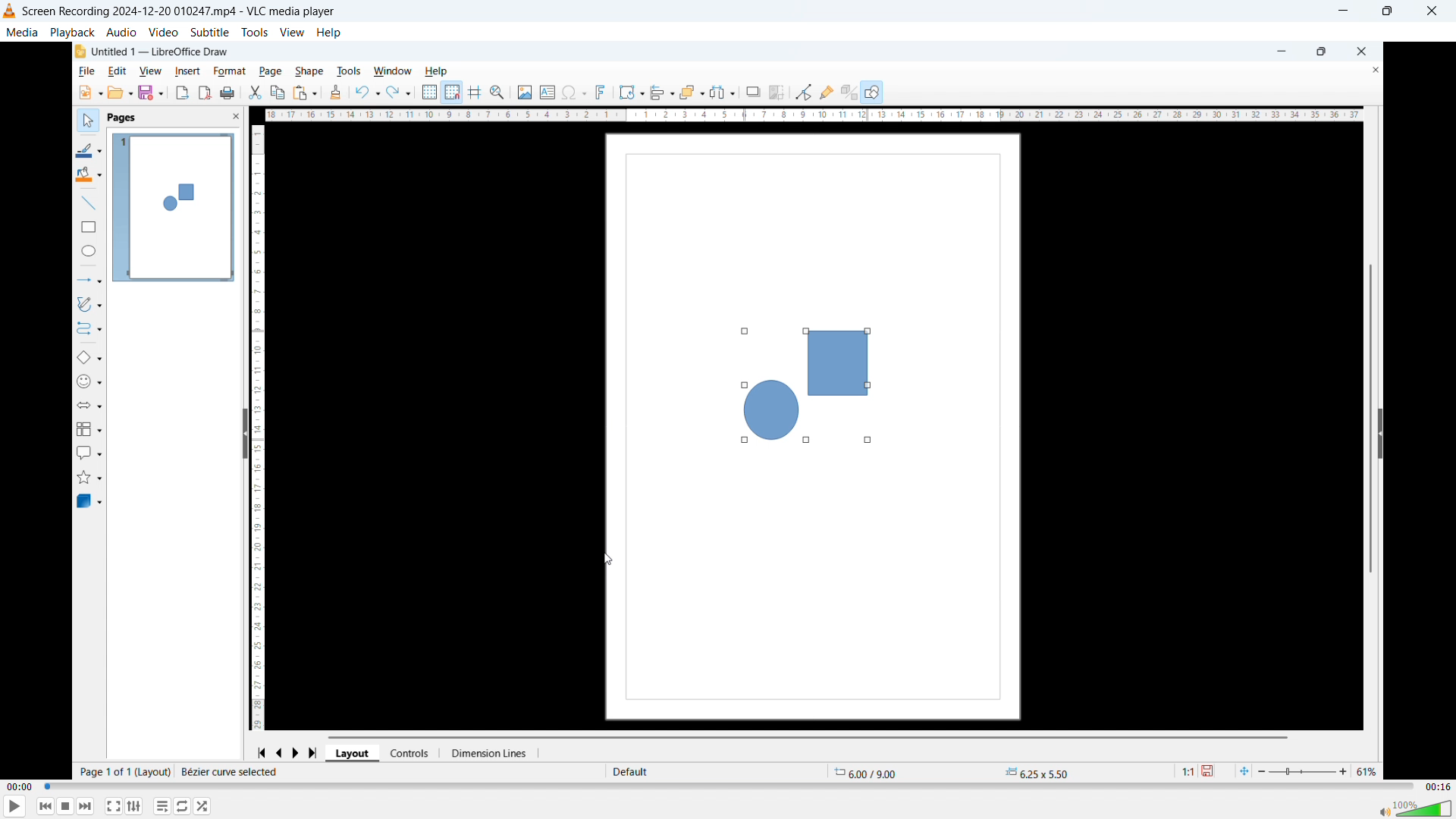  What do you see at coordinates (209, 32) in the screenshot?
I see `Subtitle ` at bounding box center [209, 32].